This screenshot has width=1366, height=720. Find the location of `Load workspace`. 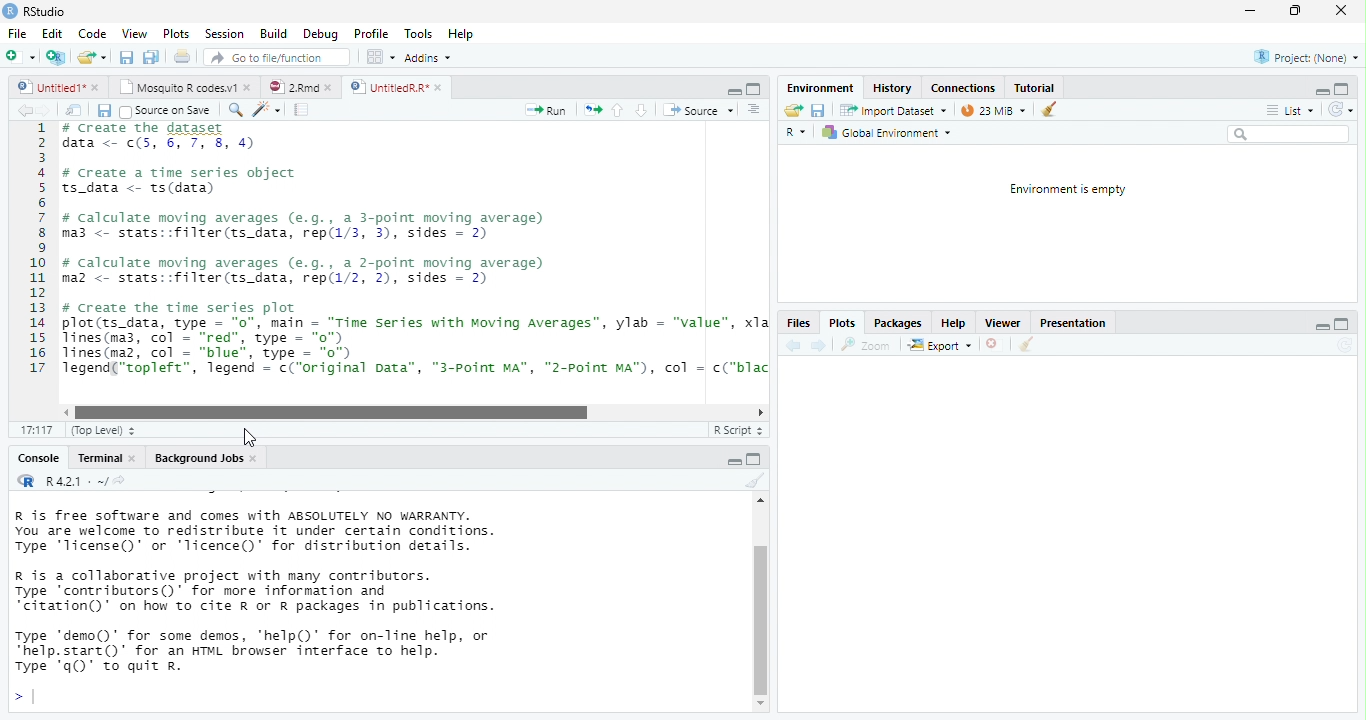

Load workspace is located at coordinates (793, 111).